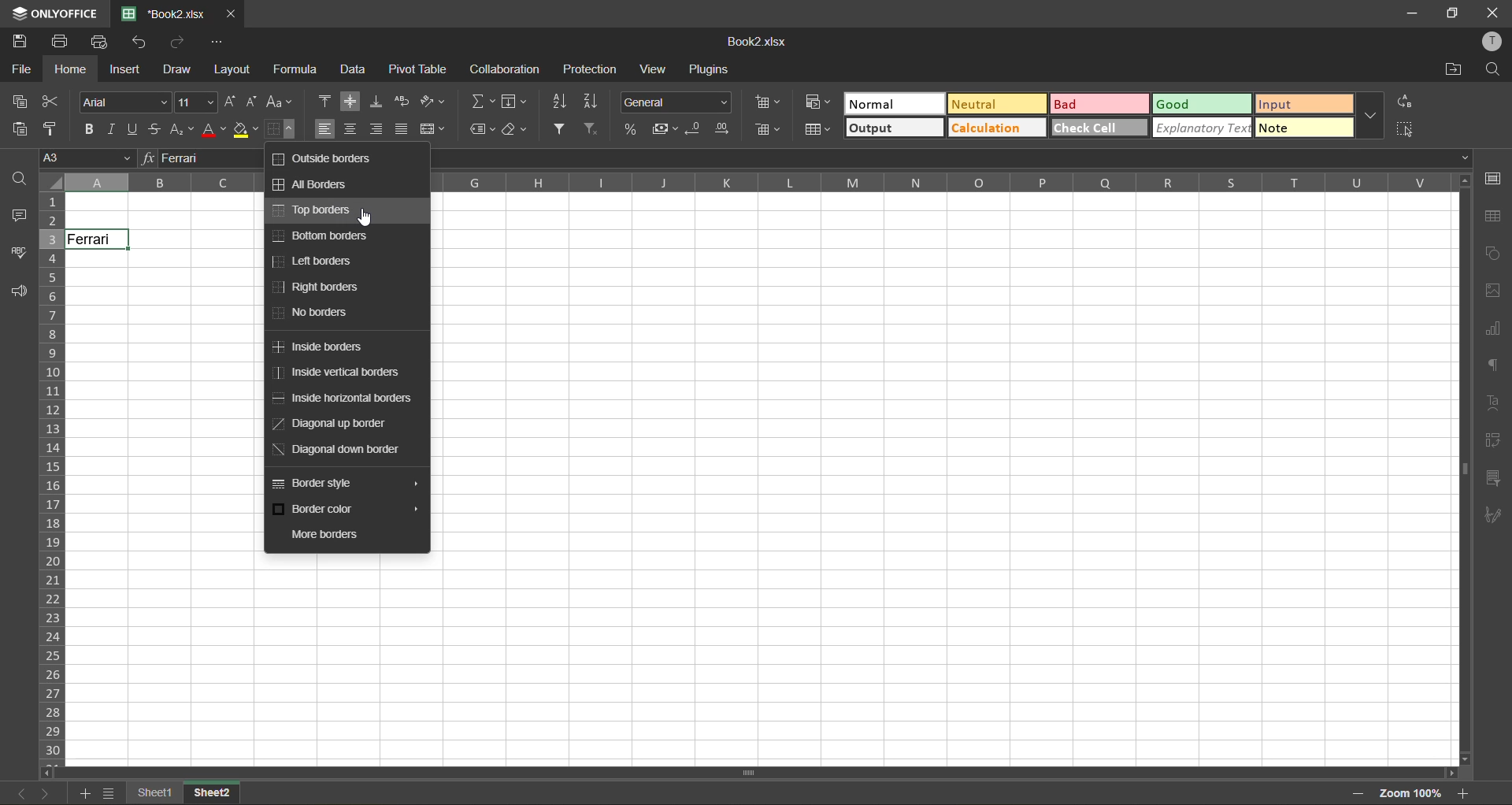  What do you see at coordinates (663, 127) in the screenshot?
I see `accounting` at bounding box center [663, 127].